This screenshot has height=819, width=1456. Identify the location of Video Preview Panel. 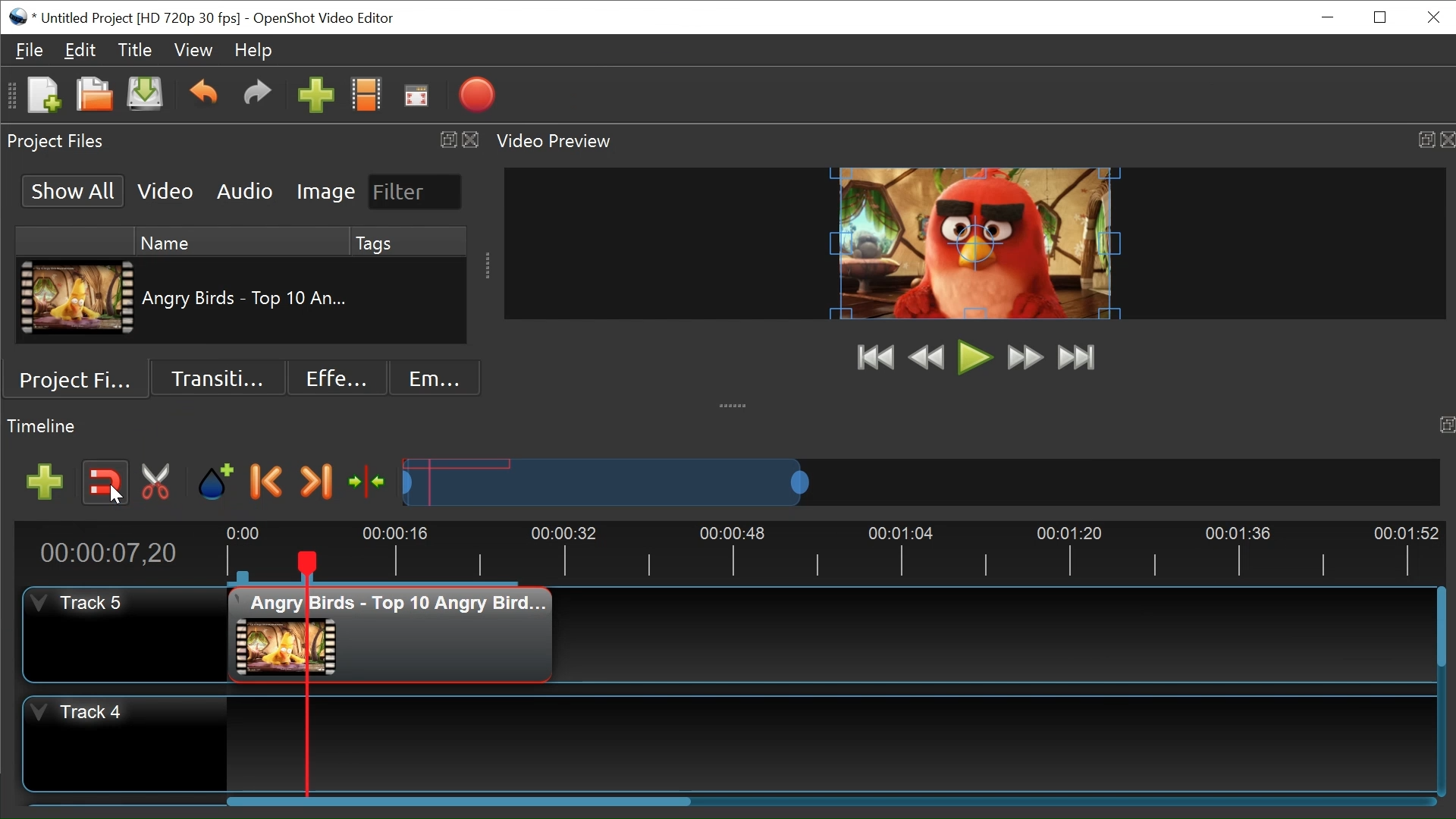
(971, 140).